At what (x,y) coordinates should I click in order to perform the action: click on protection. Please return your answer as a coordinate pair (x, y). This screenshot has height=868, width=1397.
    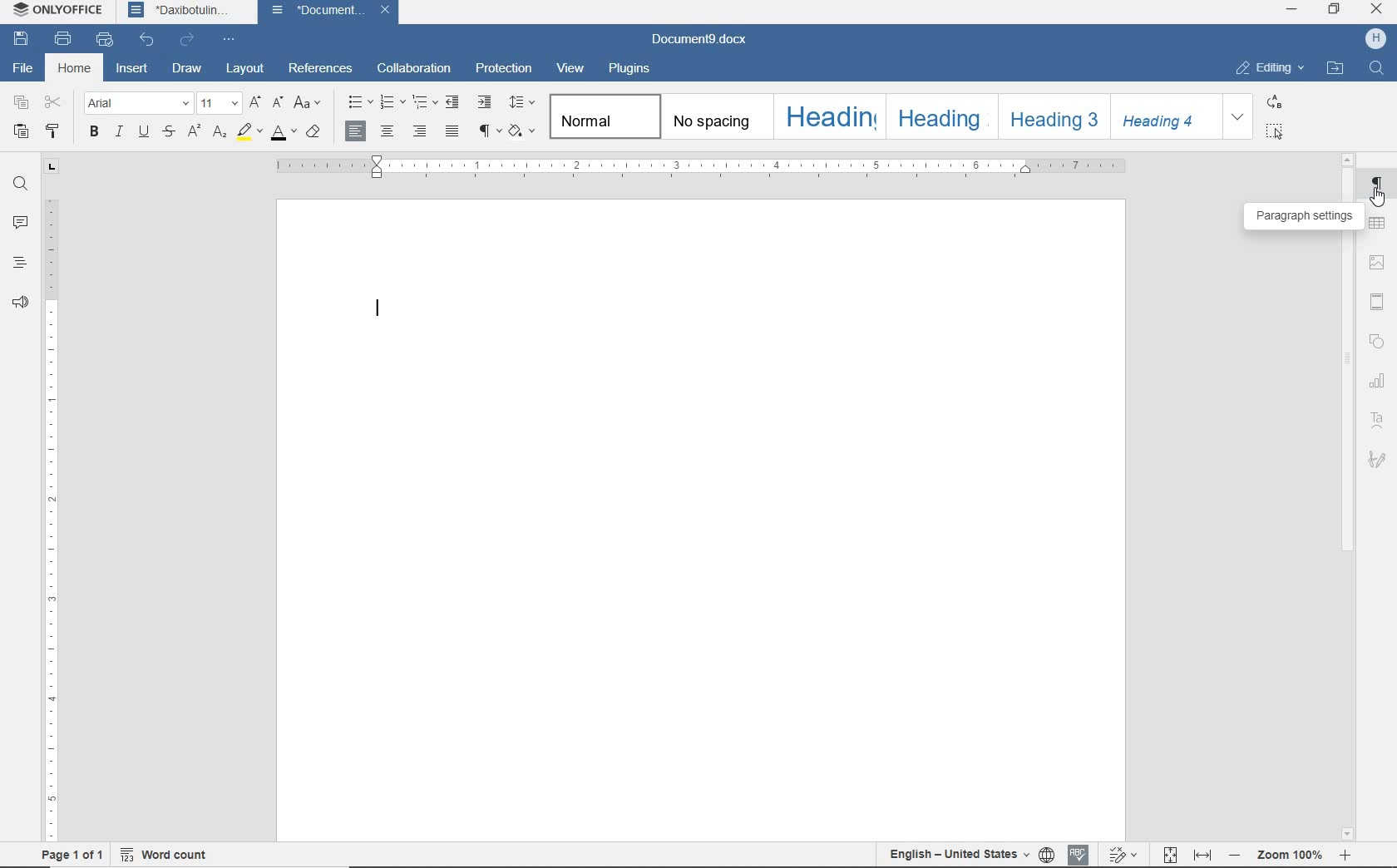
    Looking at the image, I should click on (506, 69).